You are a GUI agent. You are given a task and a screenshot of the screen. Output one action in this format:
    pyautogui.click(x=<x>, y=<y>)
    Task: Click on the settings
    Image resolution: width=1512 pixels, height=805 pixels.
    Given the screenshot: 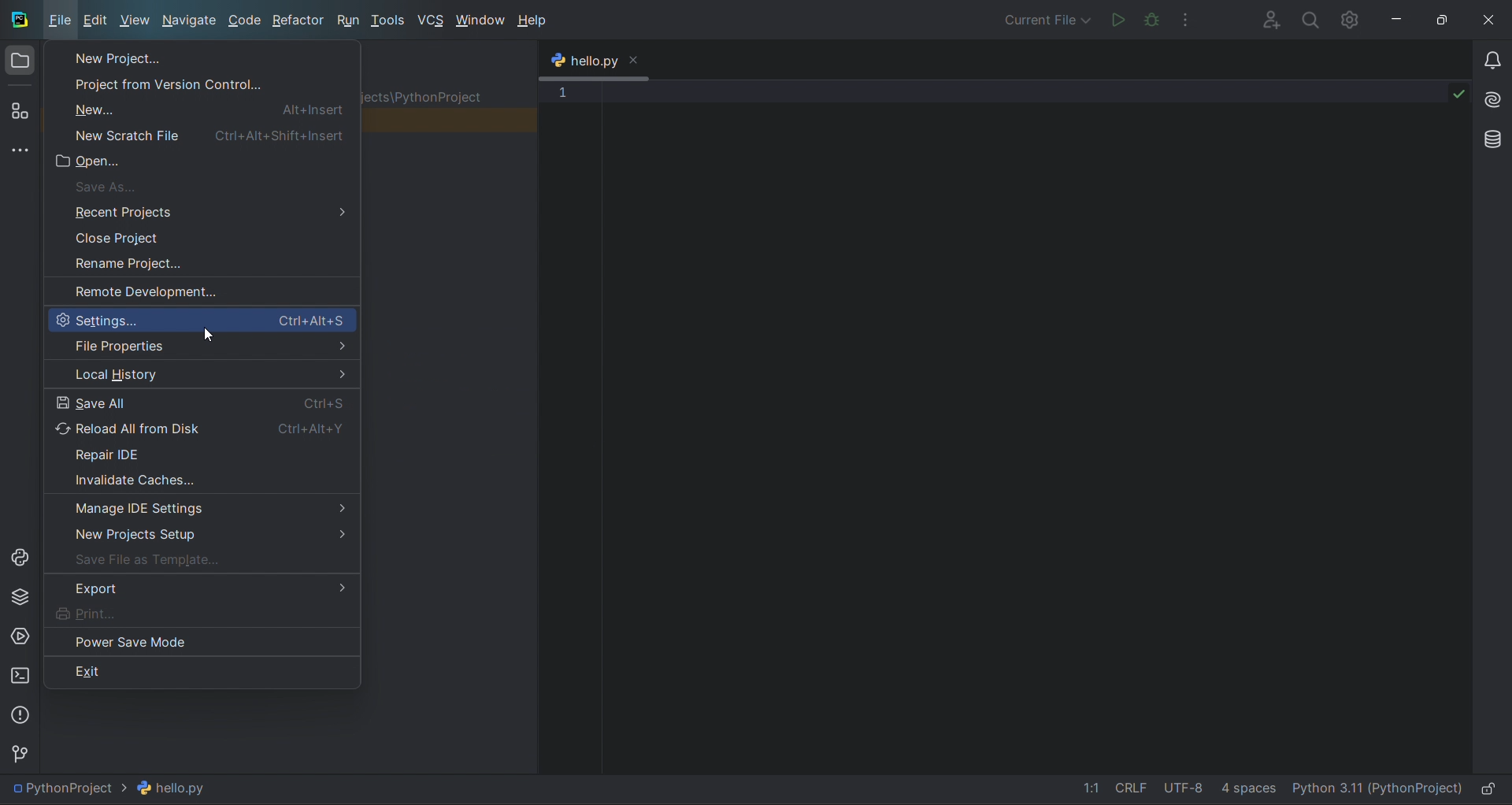 What is the action you would take?
    pyautogui.click(x=200, y=320)
    